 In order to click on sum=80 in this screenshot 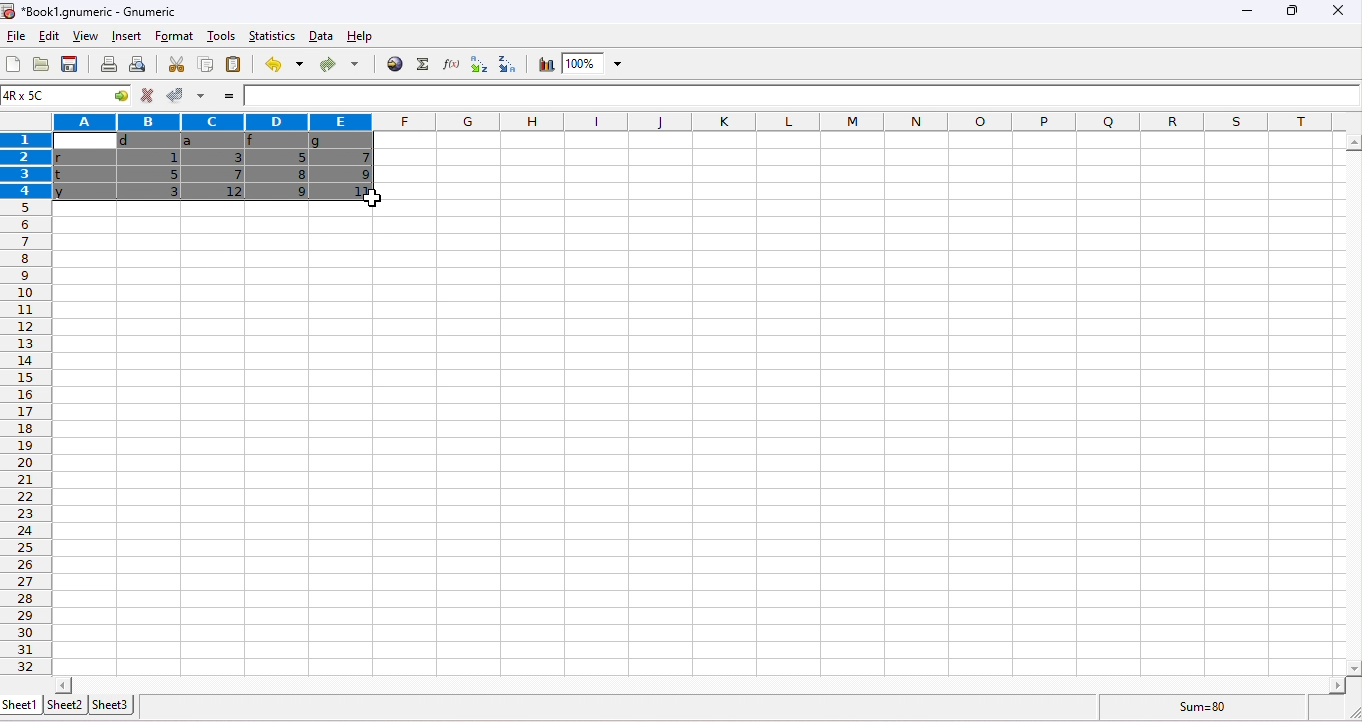, I will do `click(1198, 707)`.